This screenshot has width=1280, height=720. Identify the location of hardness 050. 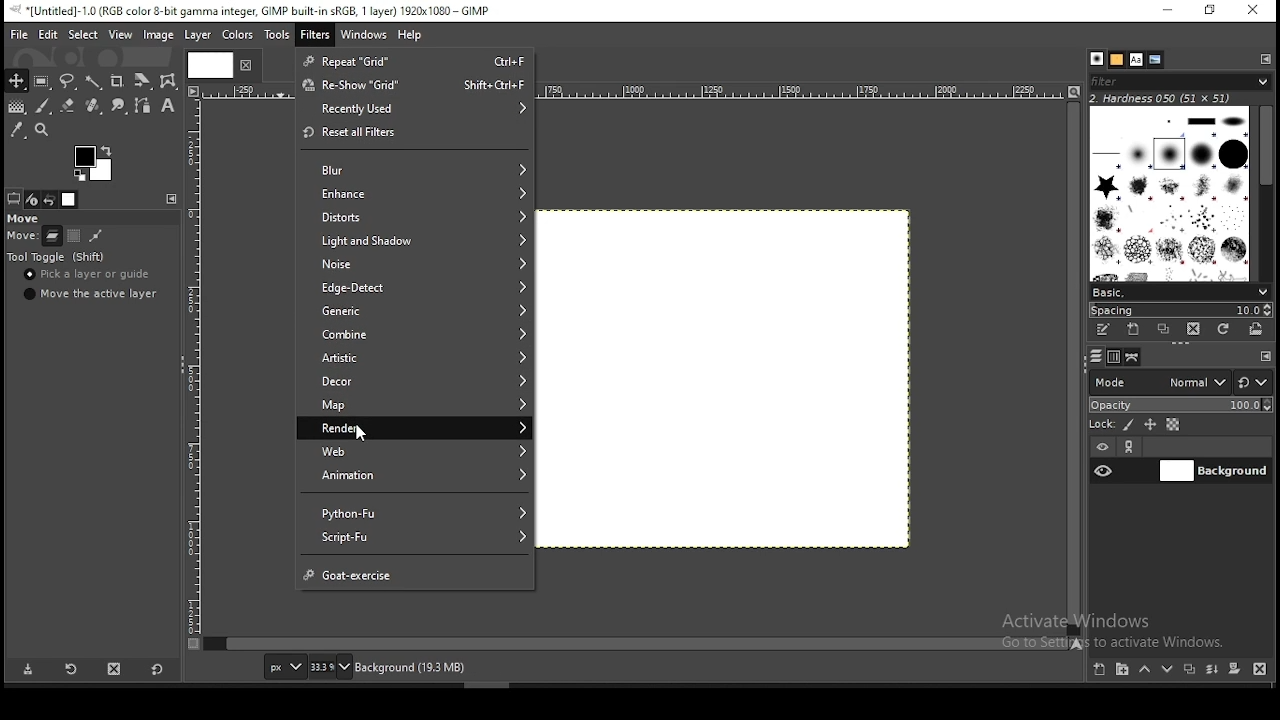
(1162, 99).